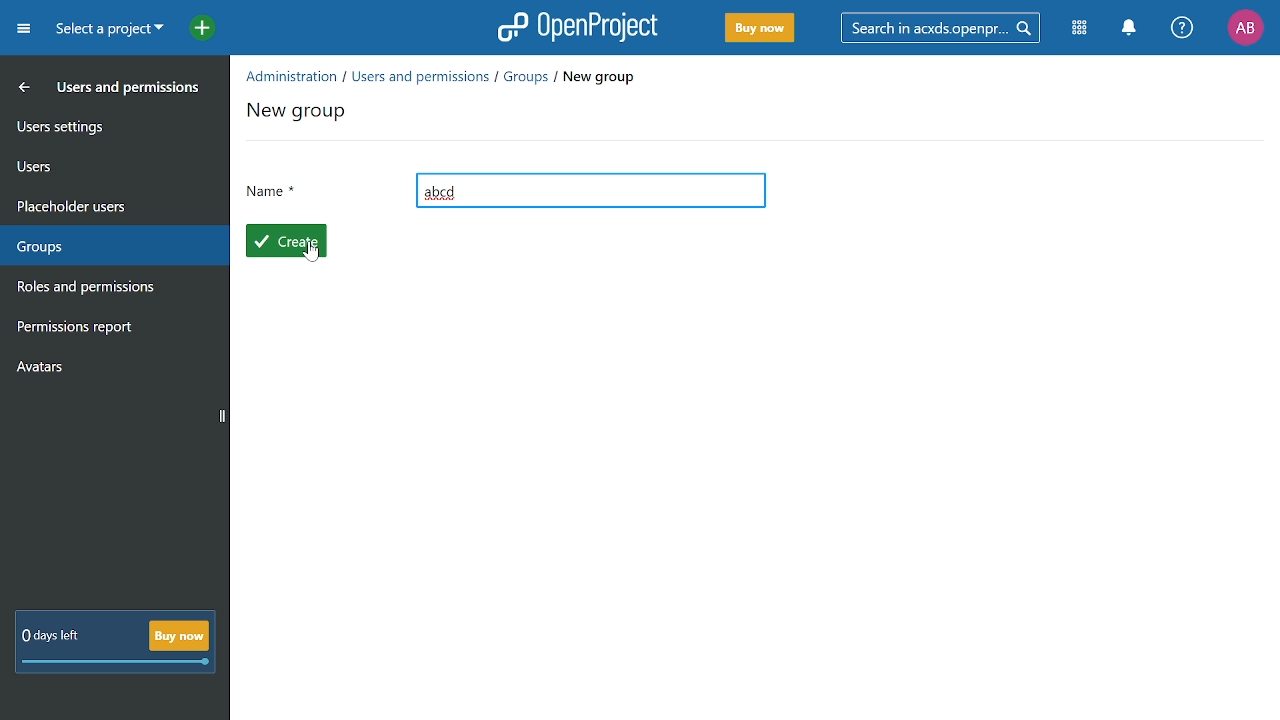 Image resolution: width=1280 pixels, height=720 pixels. What do you see at coordinates (590, 191) in the screenshot?
I see `Group name typed "abcd"` at bounding box center [590, 191].